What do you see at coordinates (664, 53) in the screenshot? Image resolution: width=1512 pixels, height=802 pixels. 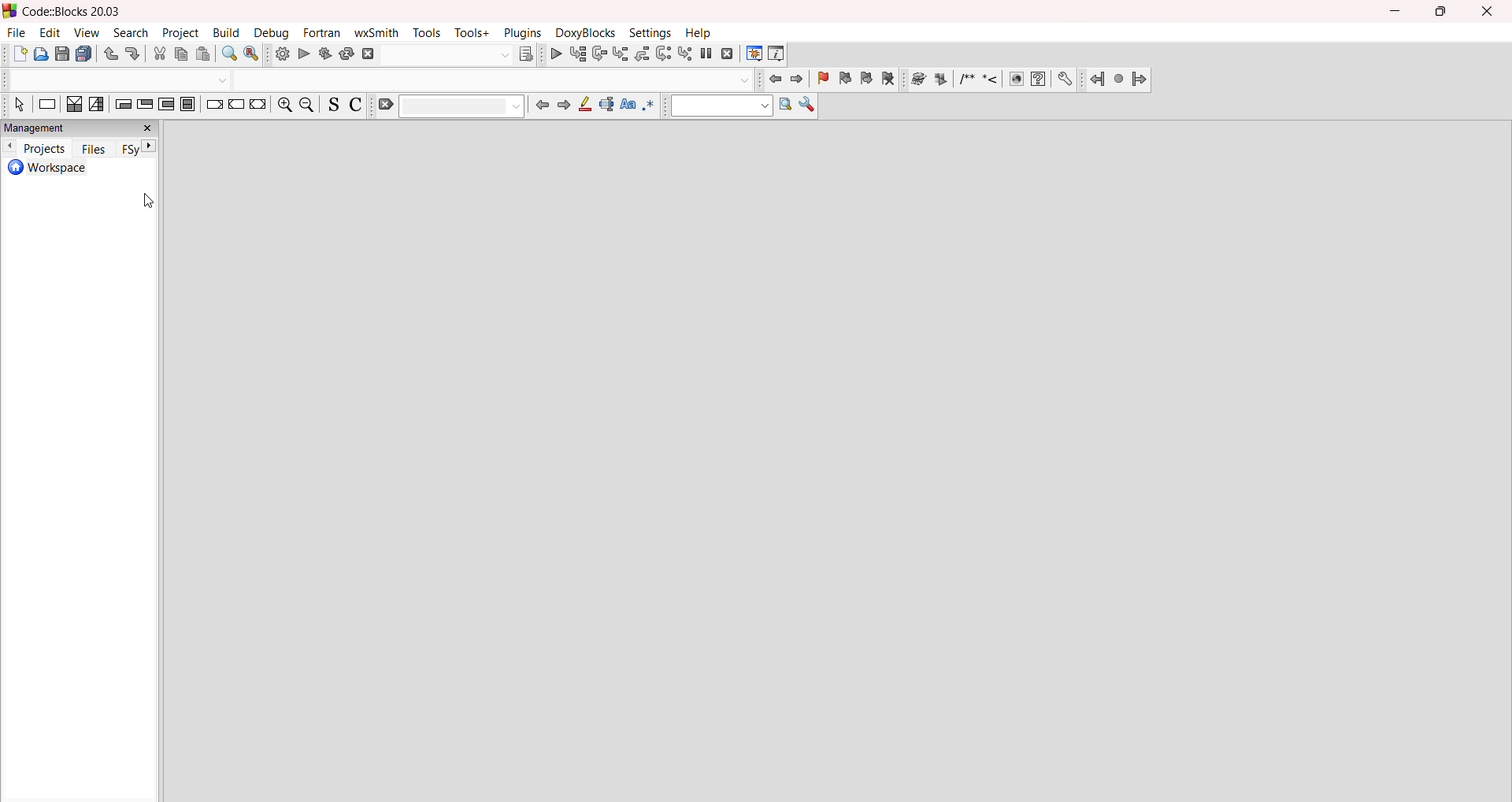 I see `next instruction` at bounding box center [664, 53].